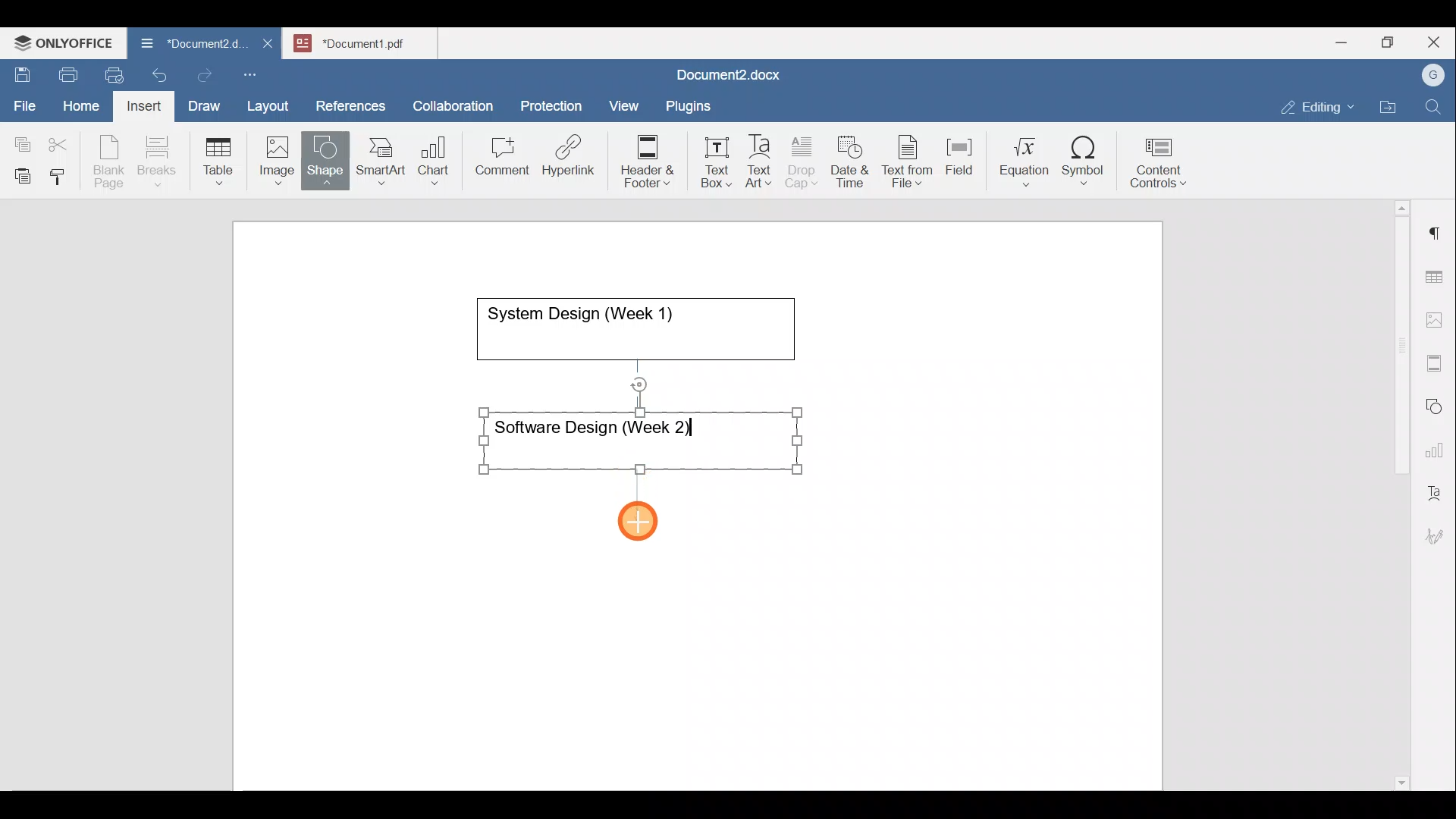 Image resolution: width=1456 pixels, height=819 pixels. What do you see at coordinates (156, 73) in the screenshot?
I see `Undo` at bounding box center [156, 73].